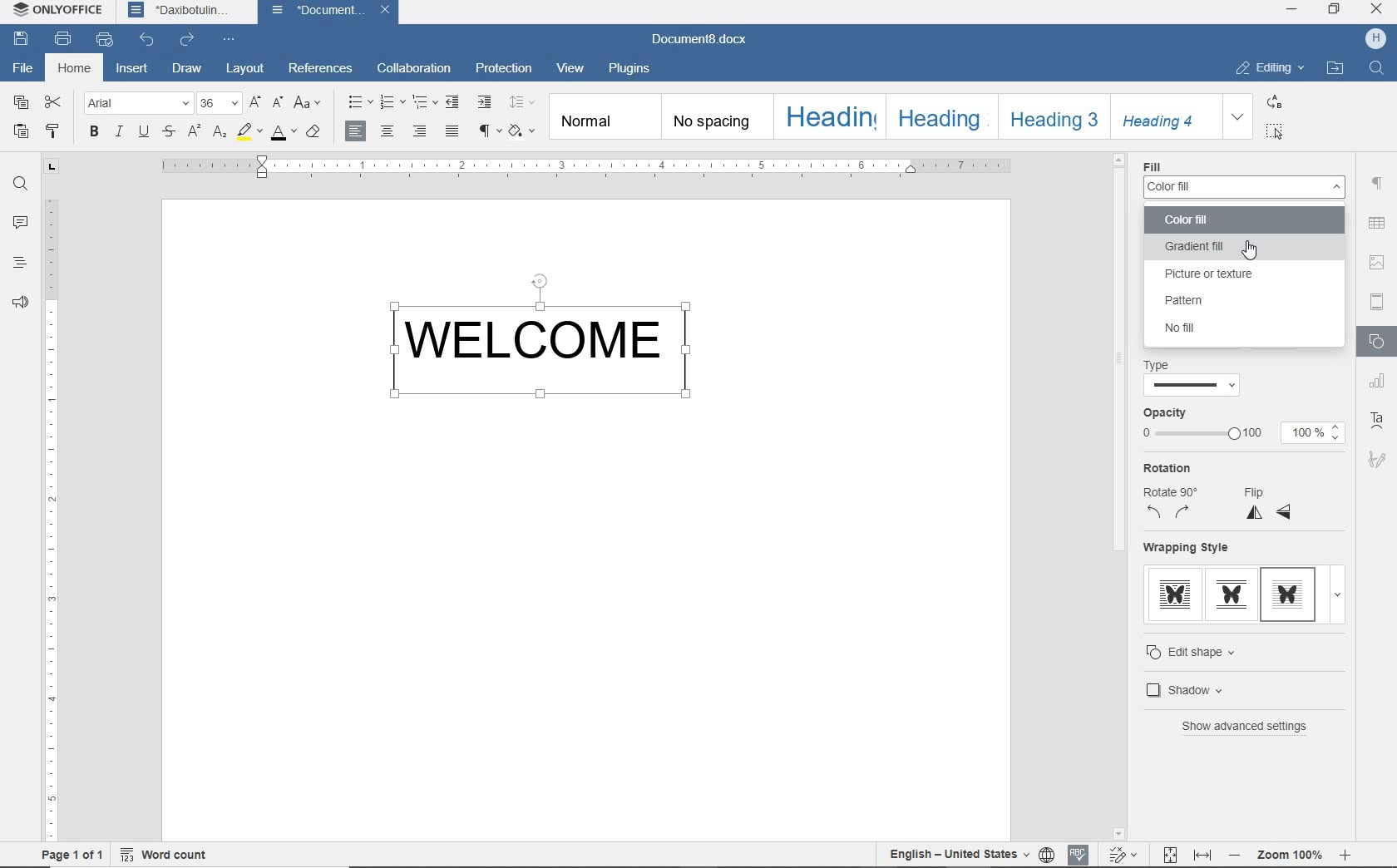 This screenshot has width=1397, height=868. Describe the element at coordinates (486, 103) in the screenshot. I see `INCREASE INDENT` at that location.